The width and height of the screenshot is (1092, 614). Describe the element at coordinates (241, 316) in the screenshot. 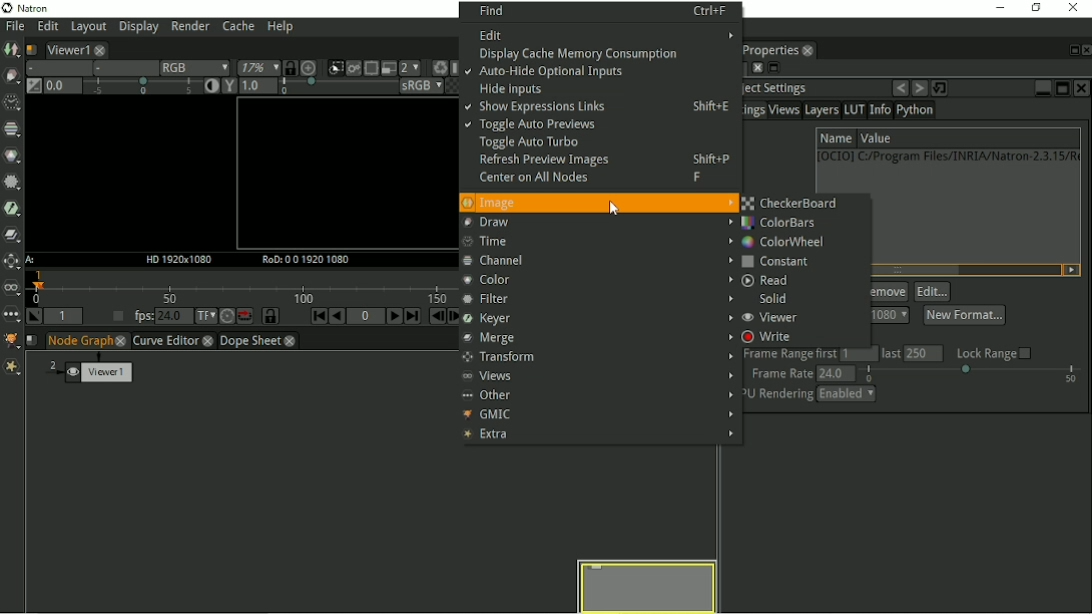

I see `Behaviour` at that location.